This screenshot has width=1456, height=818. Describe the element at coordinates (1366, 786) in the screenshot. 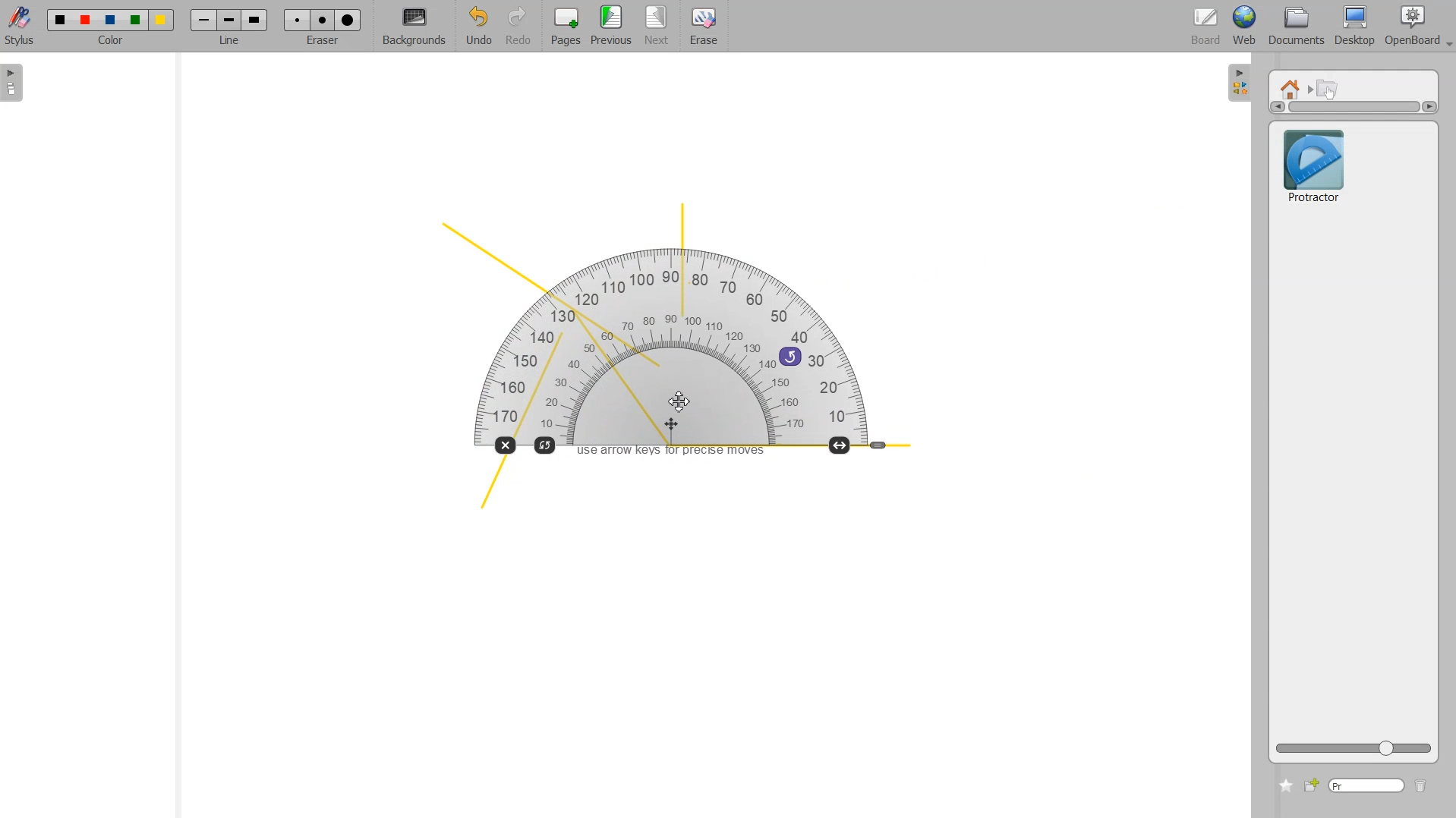

I see `Type window` at that location.